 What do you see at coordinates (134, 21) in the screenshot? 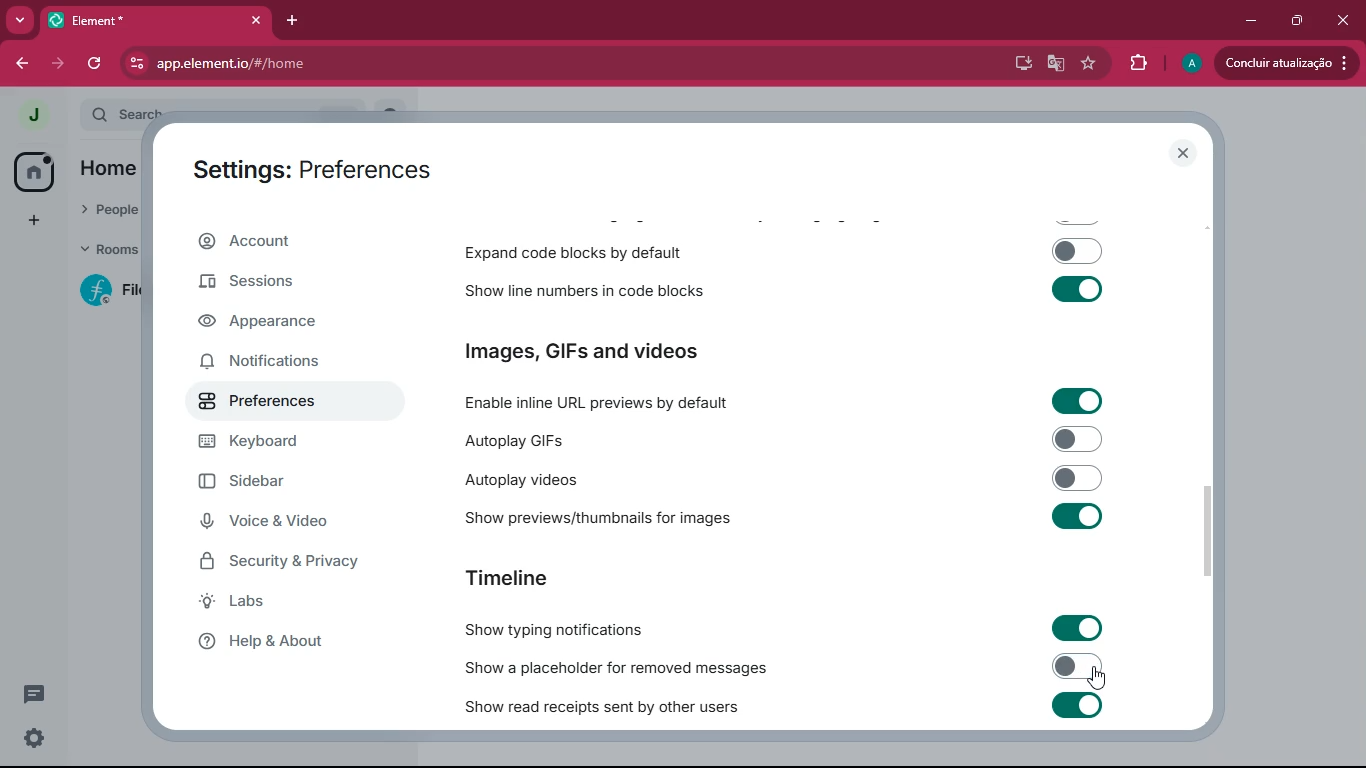
I see `tab` at bounding box center [134, 21].